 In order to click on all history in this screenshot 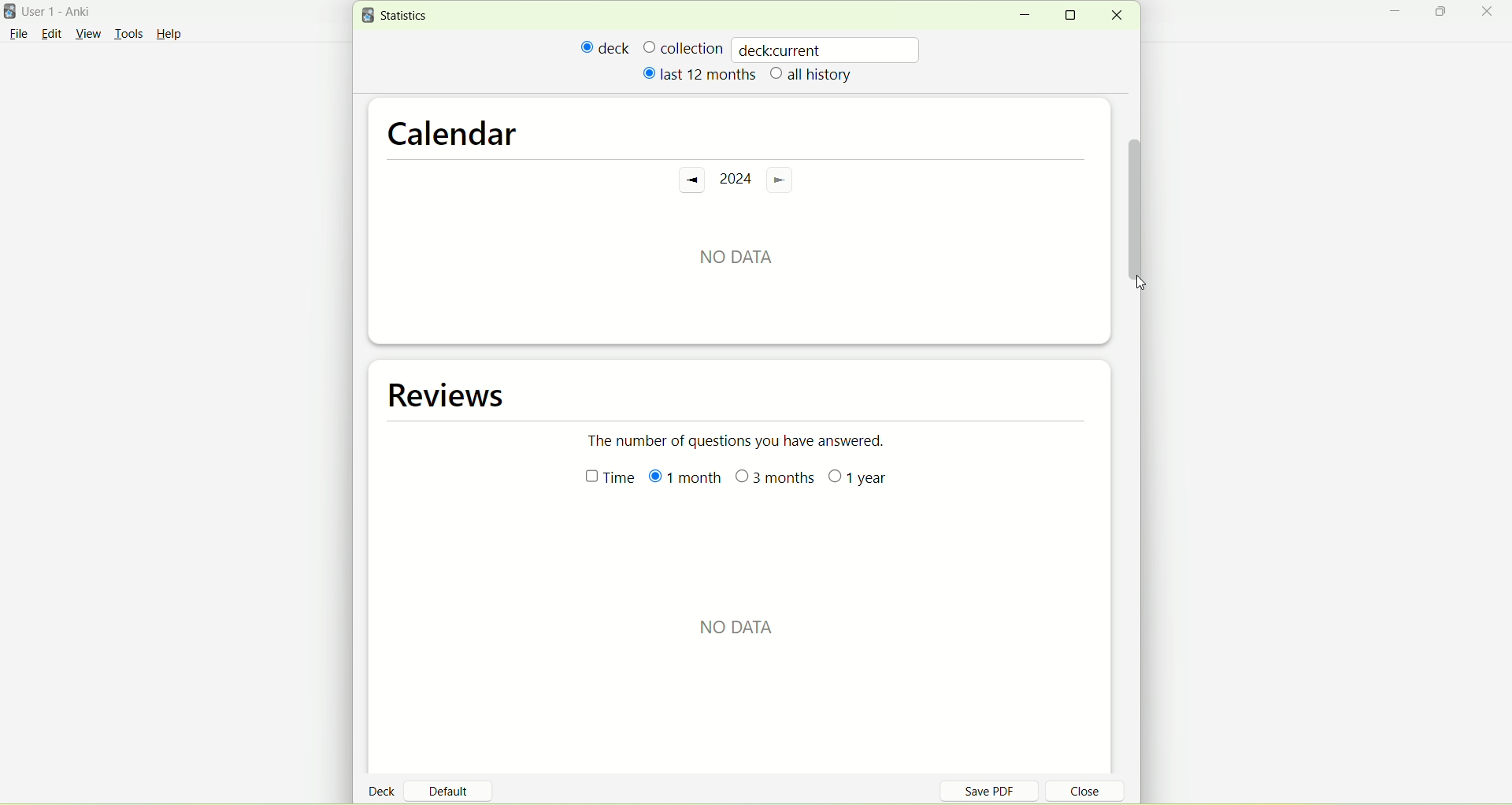, I will do `click(812, 76)`.